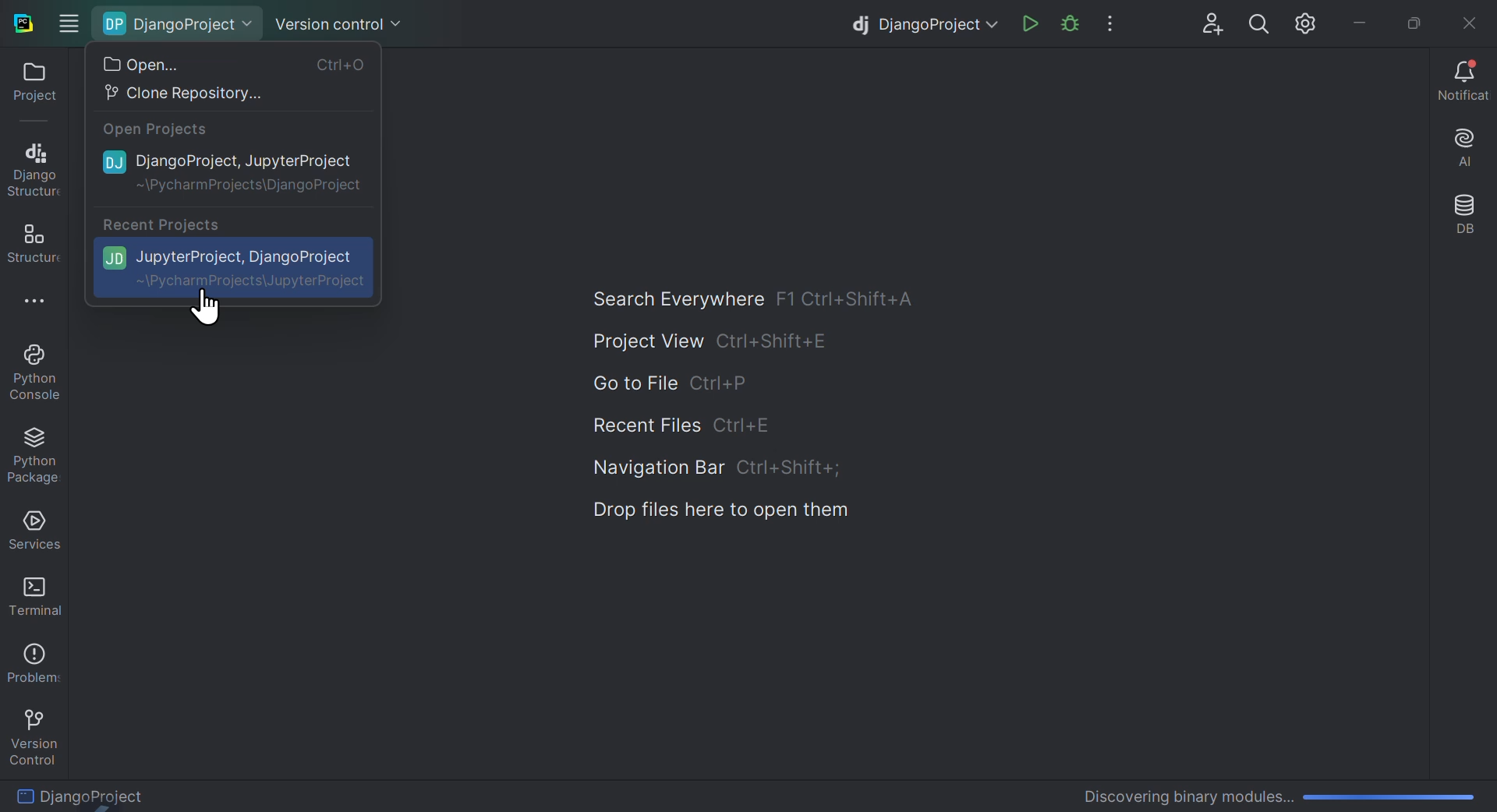  I want to click on User, so click(1214, 24).